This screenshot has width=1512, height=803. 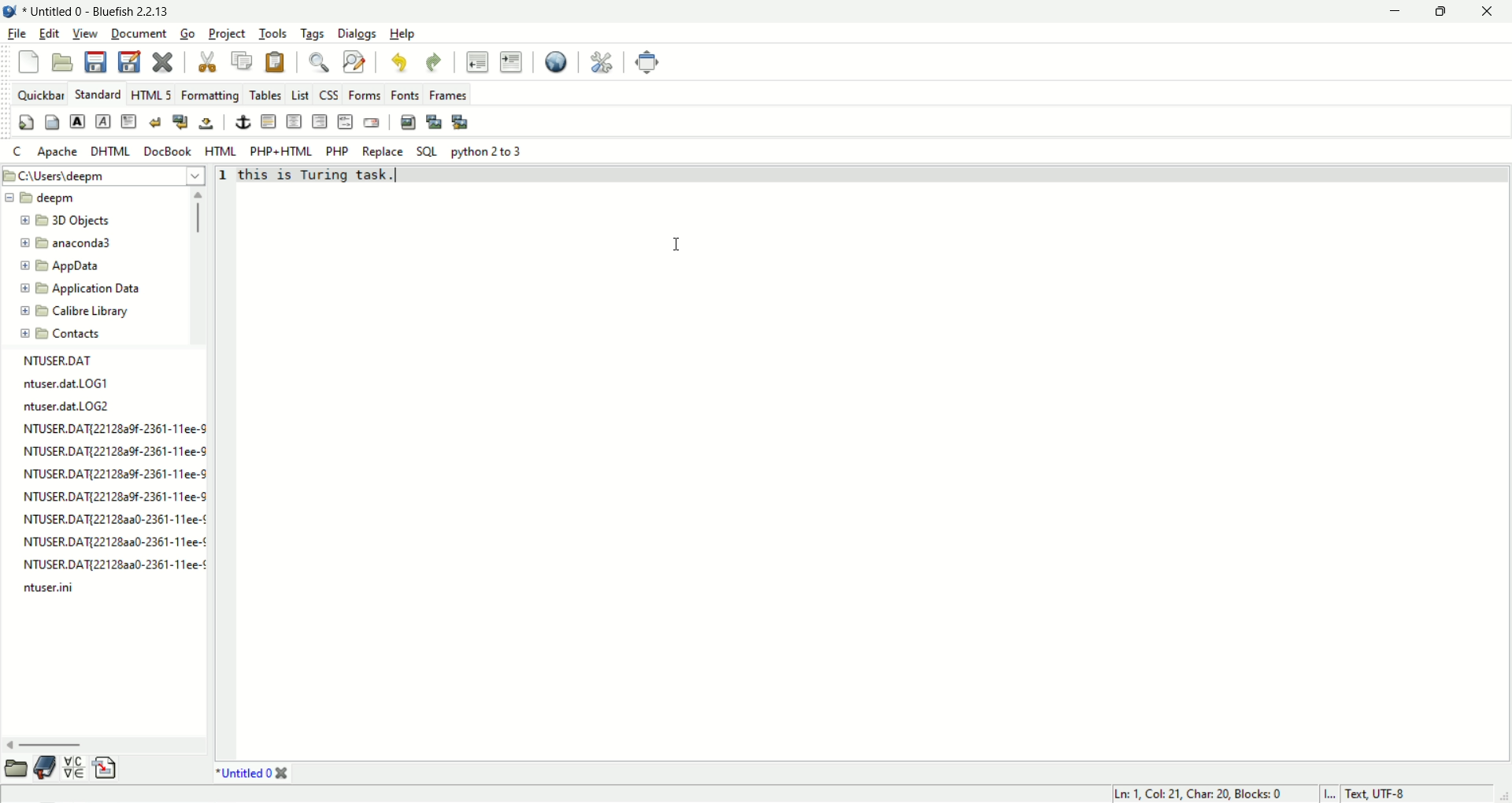 I want to click on cursor, so click(x=673, y=242).